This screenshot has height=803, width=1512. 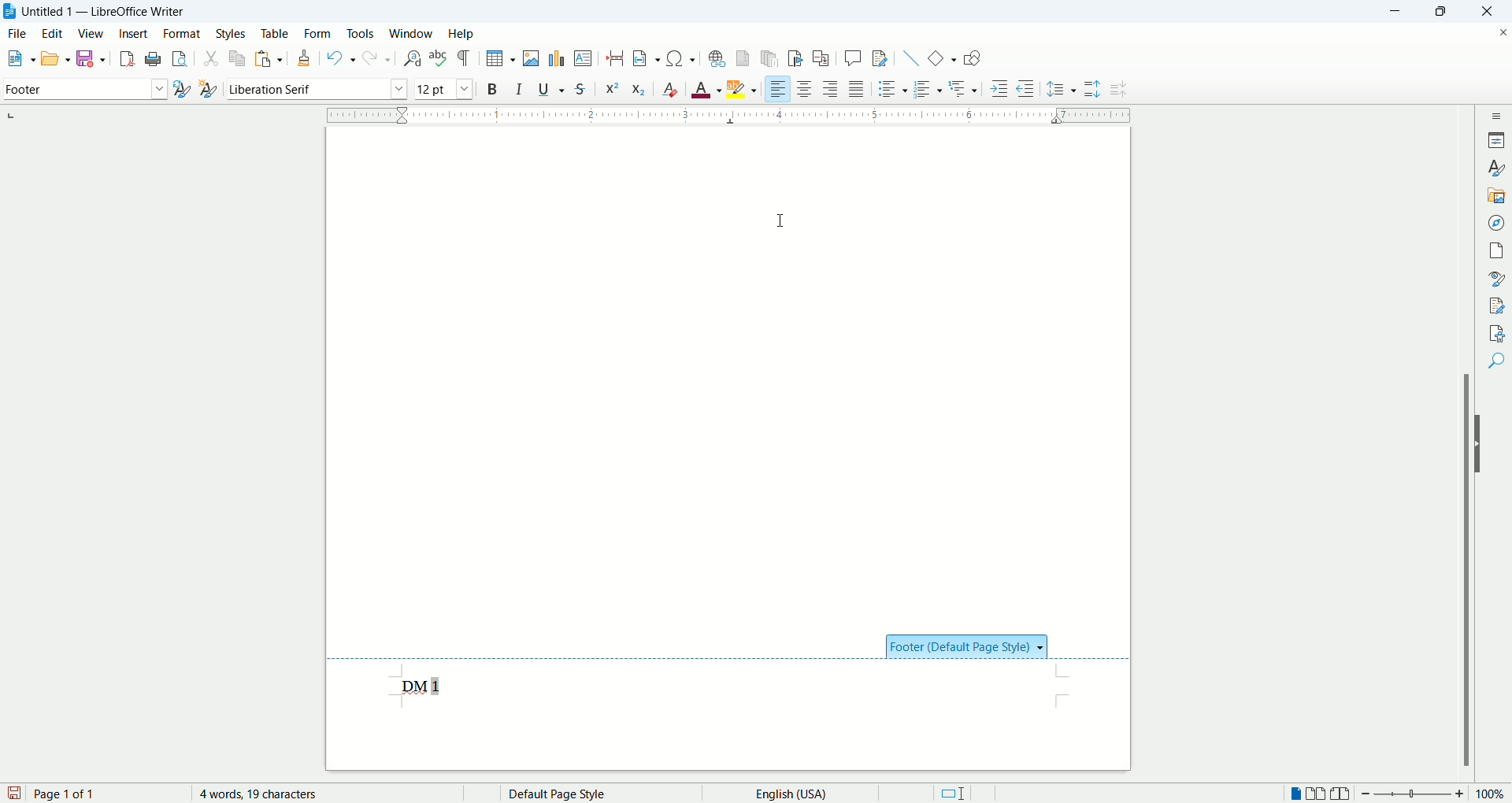 What do you see at coordinates (1118, 90) in the screenshot?
I see `decrease paragraph spacing` at bounding box center [1118, 90].